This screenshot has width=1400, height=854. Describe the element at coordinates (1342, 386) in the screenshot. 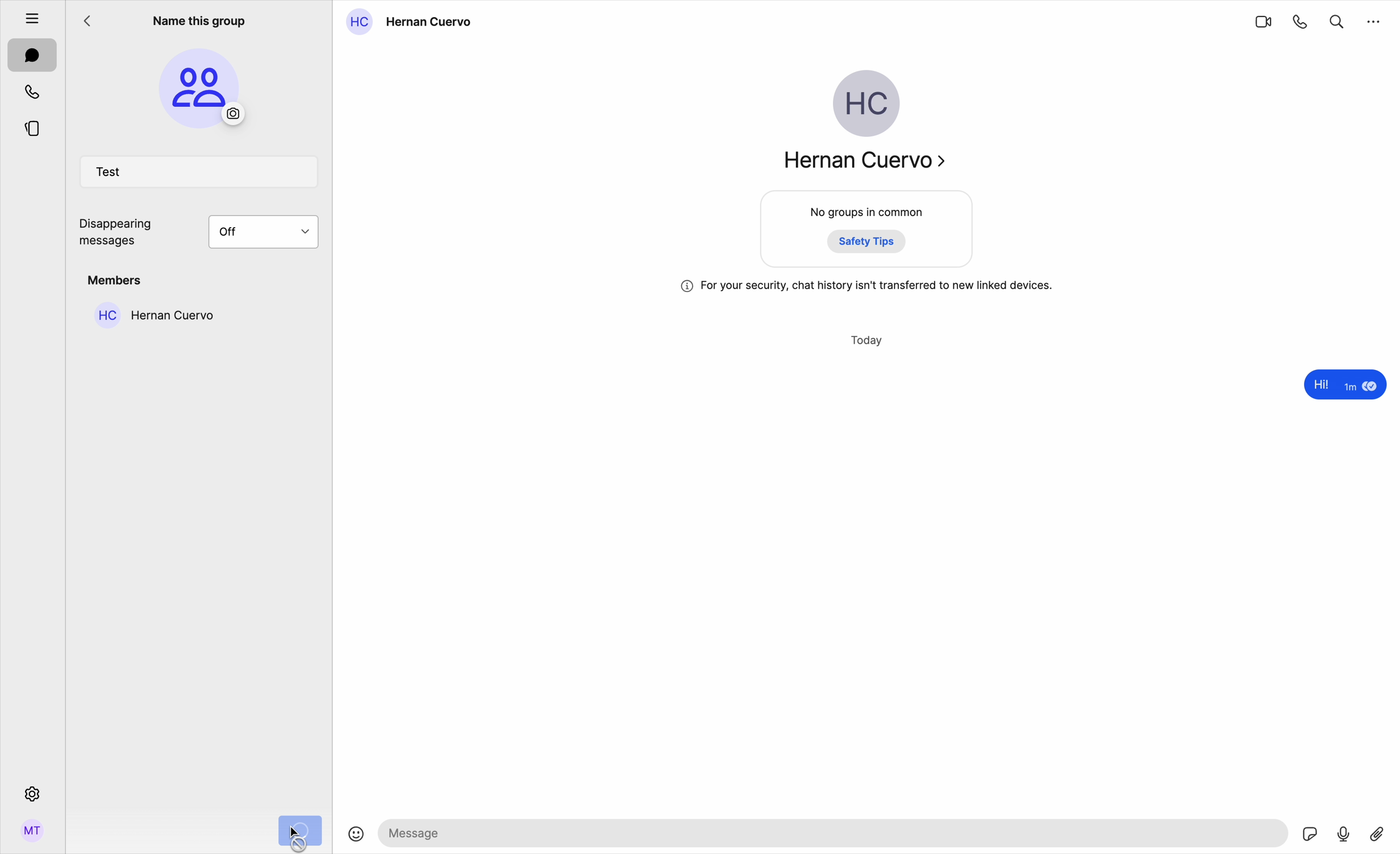

I see `message ` at that location.